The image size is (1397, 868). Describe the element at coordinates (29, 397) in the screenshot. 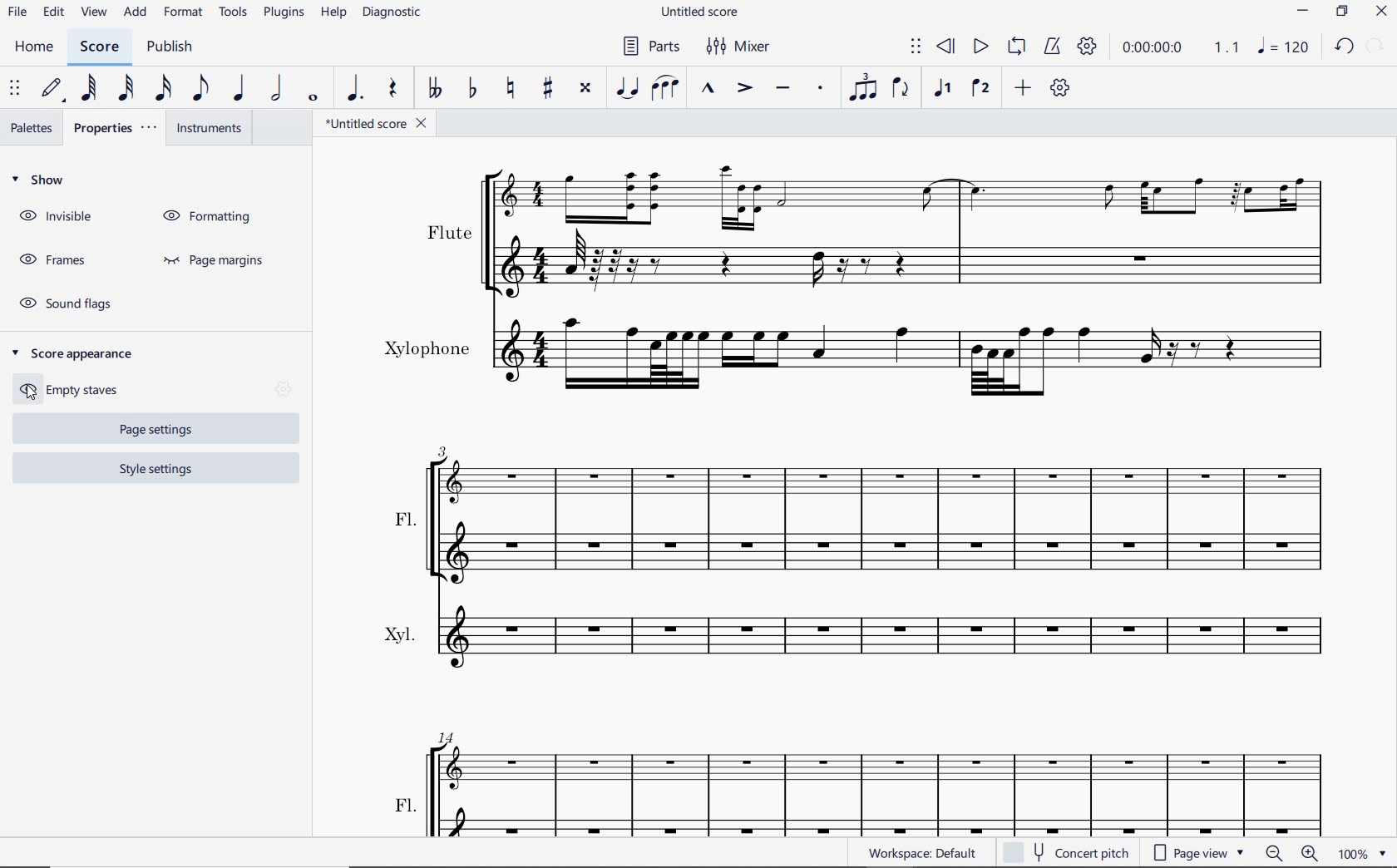

I see `cursor` at that location.